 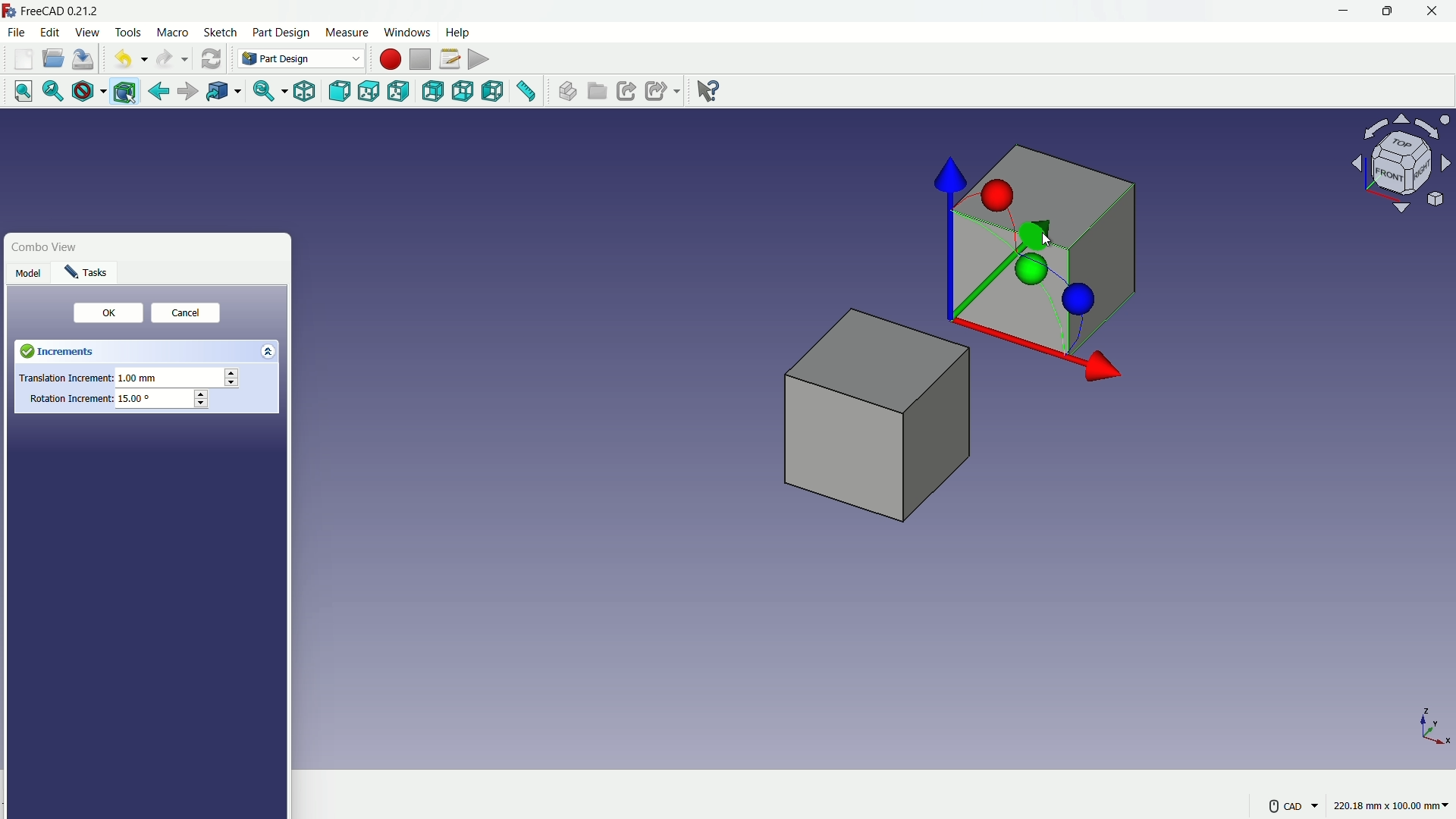 What do you see at coordinates (480, 58) in the screenshot?
I see `execute macros` at bounding box center [480, 58].